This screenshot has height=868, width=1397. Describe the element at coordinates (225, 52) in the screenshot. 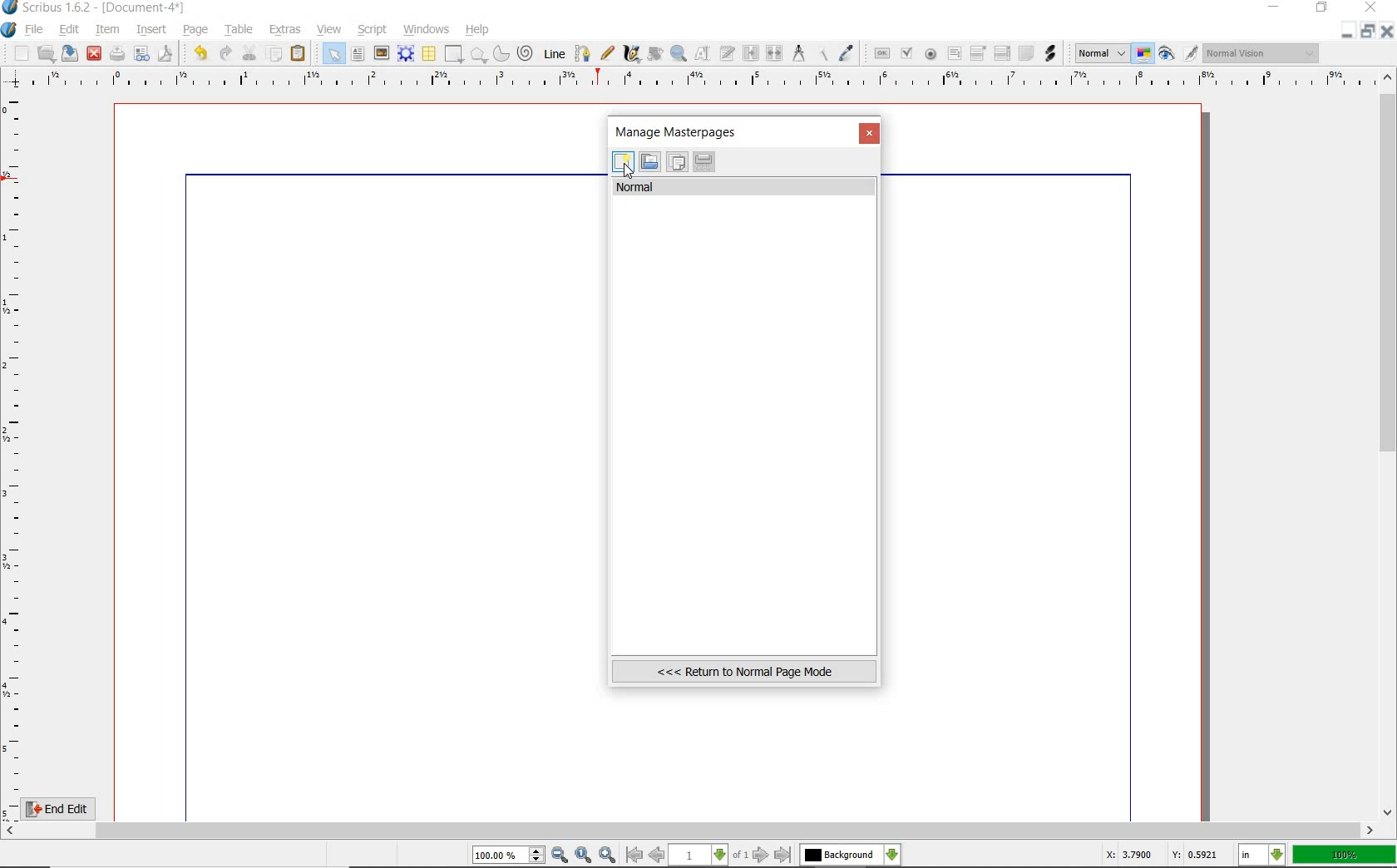

I see `redo` at that location.